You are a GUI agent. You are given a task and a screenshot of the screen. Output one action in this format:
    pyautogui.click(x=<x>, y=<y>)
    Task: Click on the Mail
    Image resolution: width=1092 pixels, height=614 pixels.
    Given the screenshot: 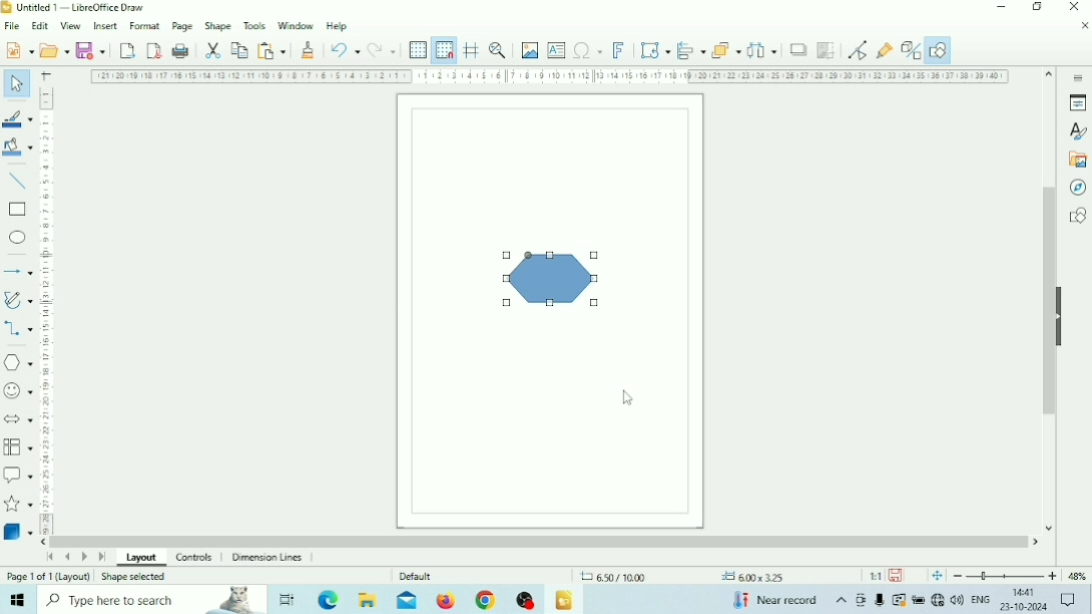 What is the action you would take?
    pyautogui.click(x=407, y=600)
    